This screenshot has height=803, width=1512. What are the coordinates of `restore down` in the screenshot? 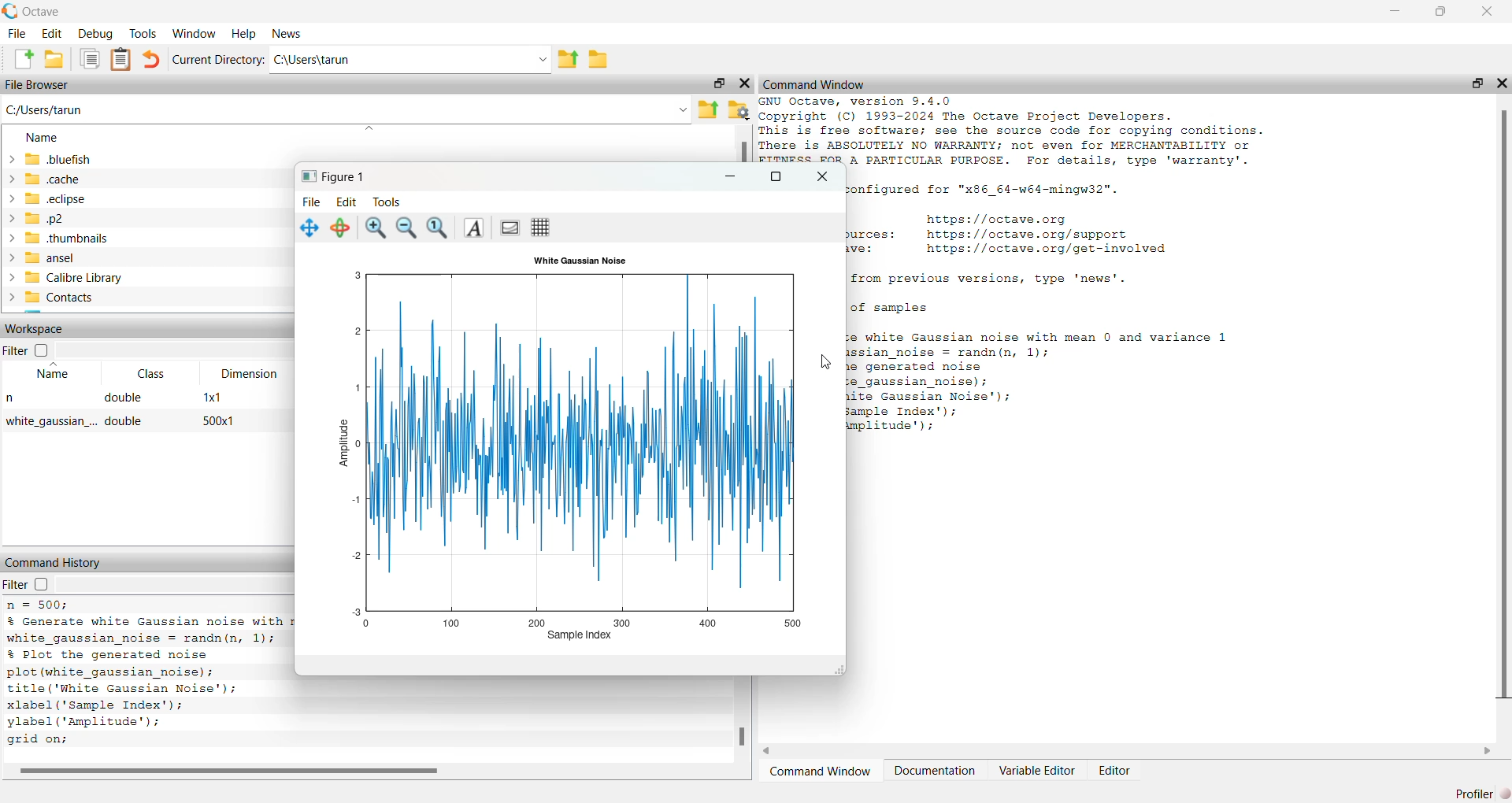 It's located at (1480, 85).